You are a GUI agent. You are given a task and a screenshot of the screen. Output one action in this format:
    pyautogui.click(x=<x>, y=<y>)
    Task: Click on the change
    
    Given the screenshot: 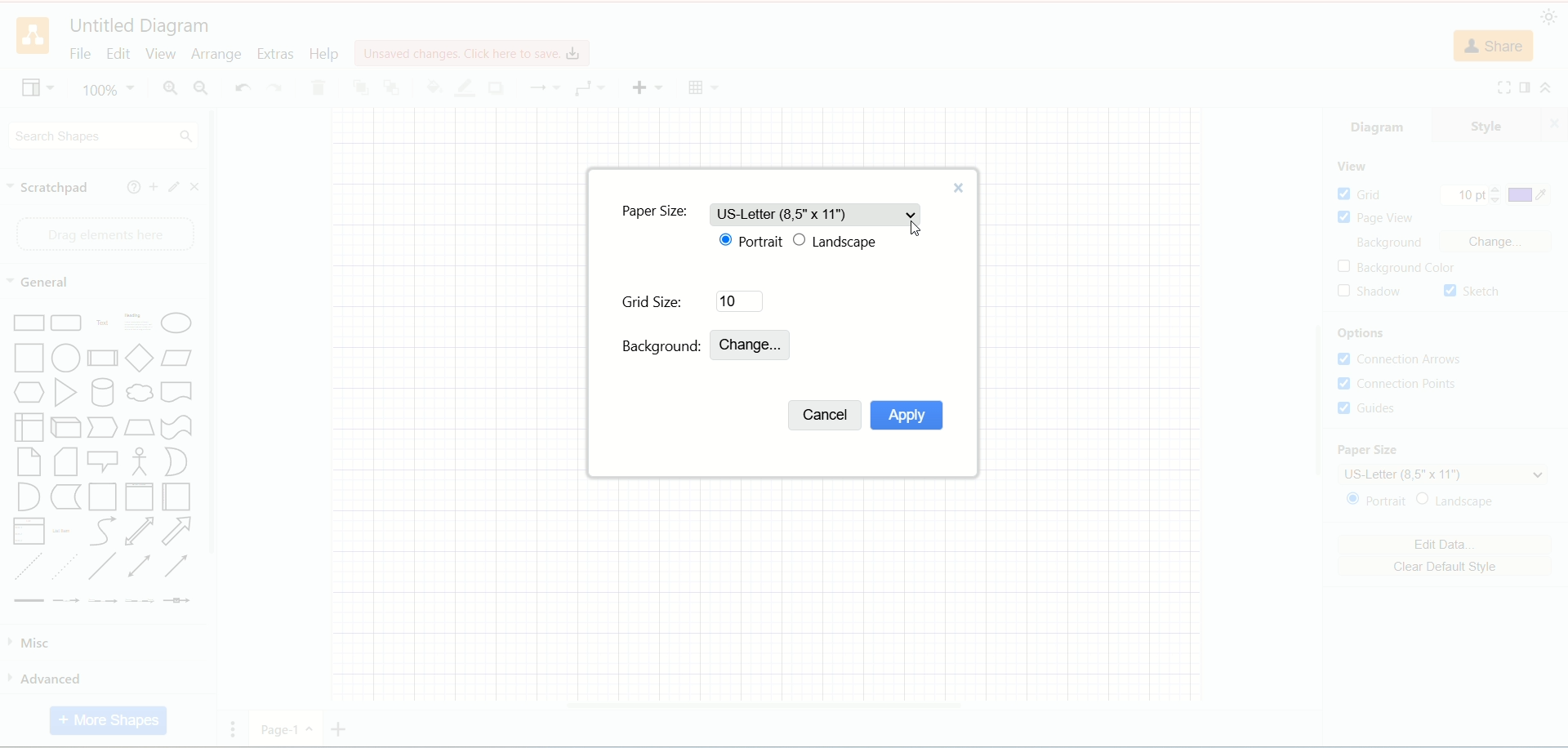 What is the action you would take?
    pyautogui.click(x=753, y=345)
    